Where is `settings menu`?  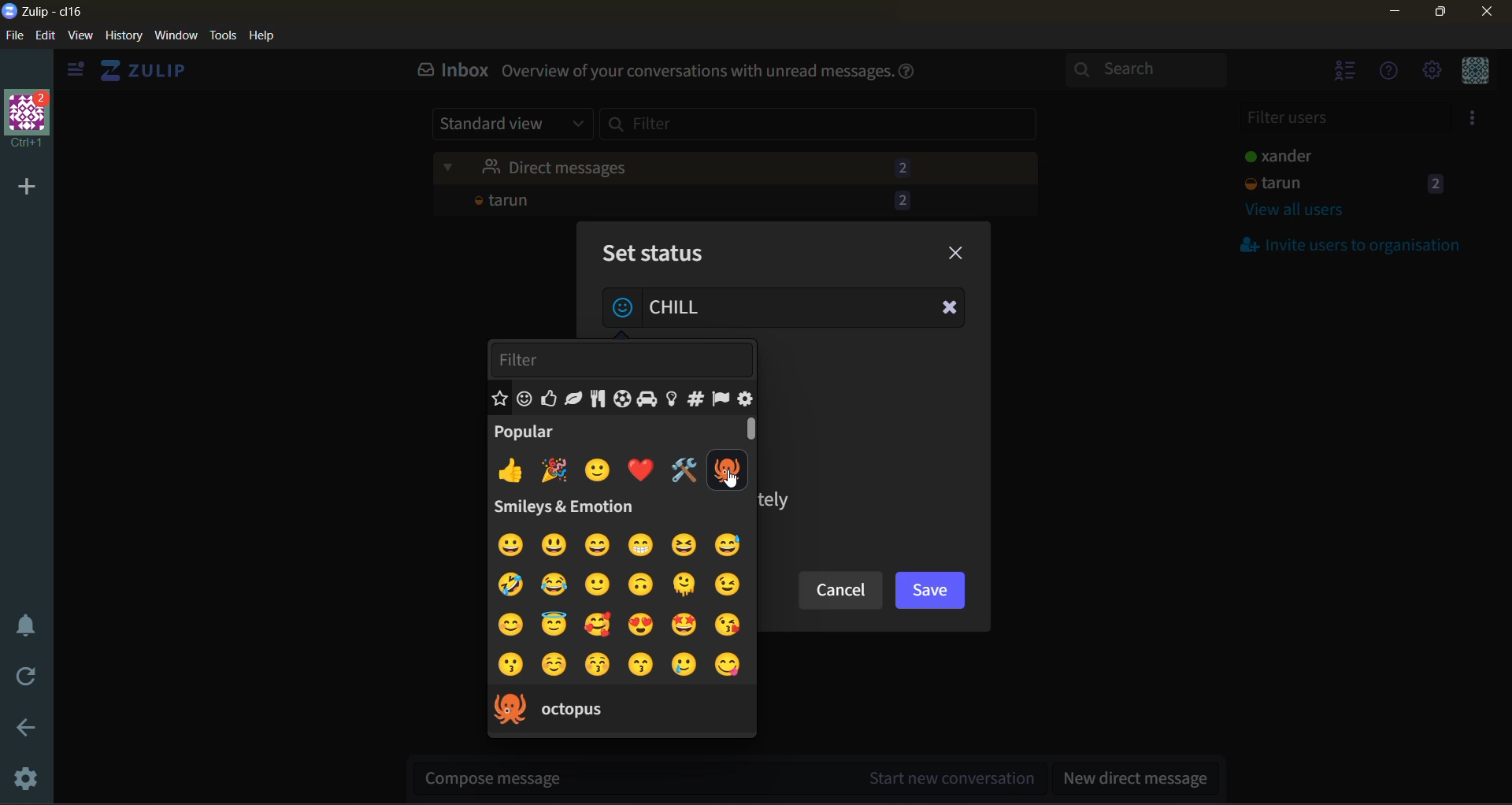 settings menu is located at coordinates (1435, 72).